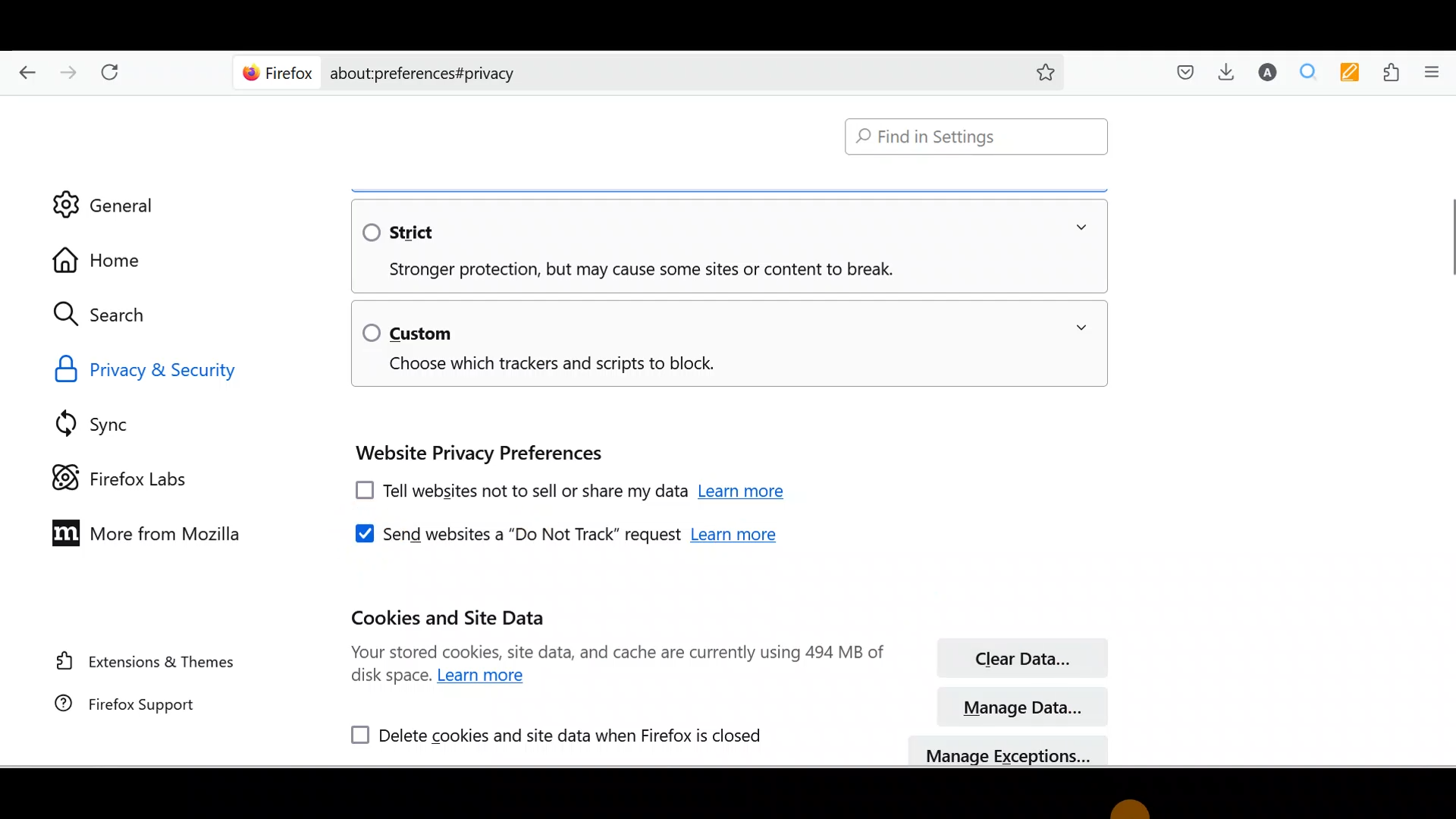  I want to click on Go forward one page, so click(69, 66).